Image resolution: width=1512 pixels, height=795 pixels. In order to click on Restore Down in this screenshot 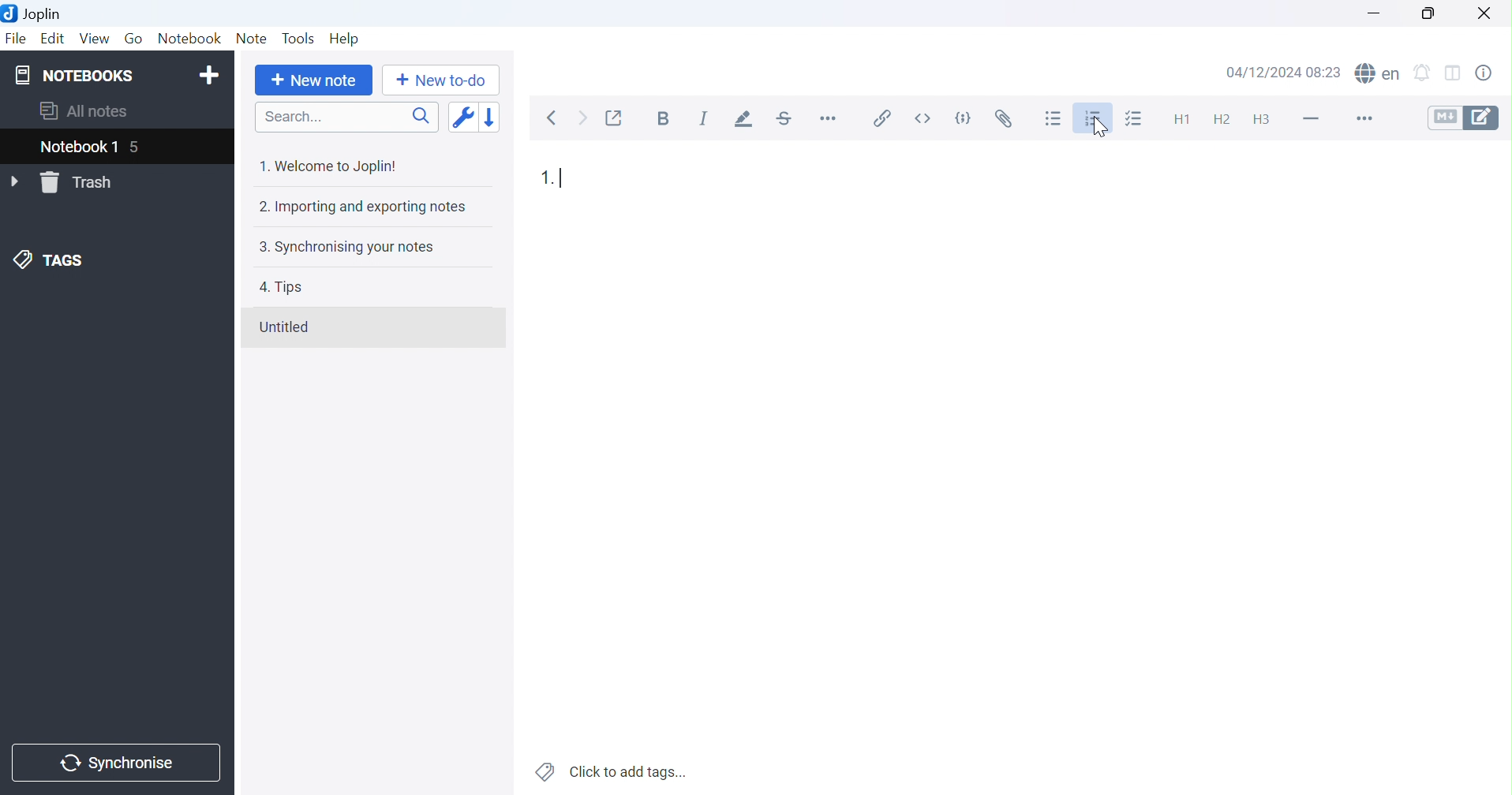, I will do `click(1427, 12)`.